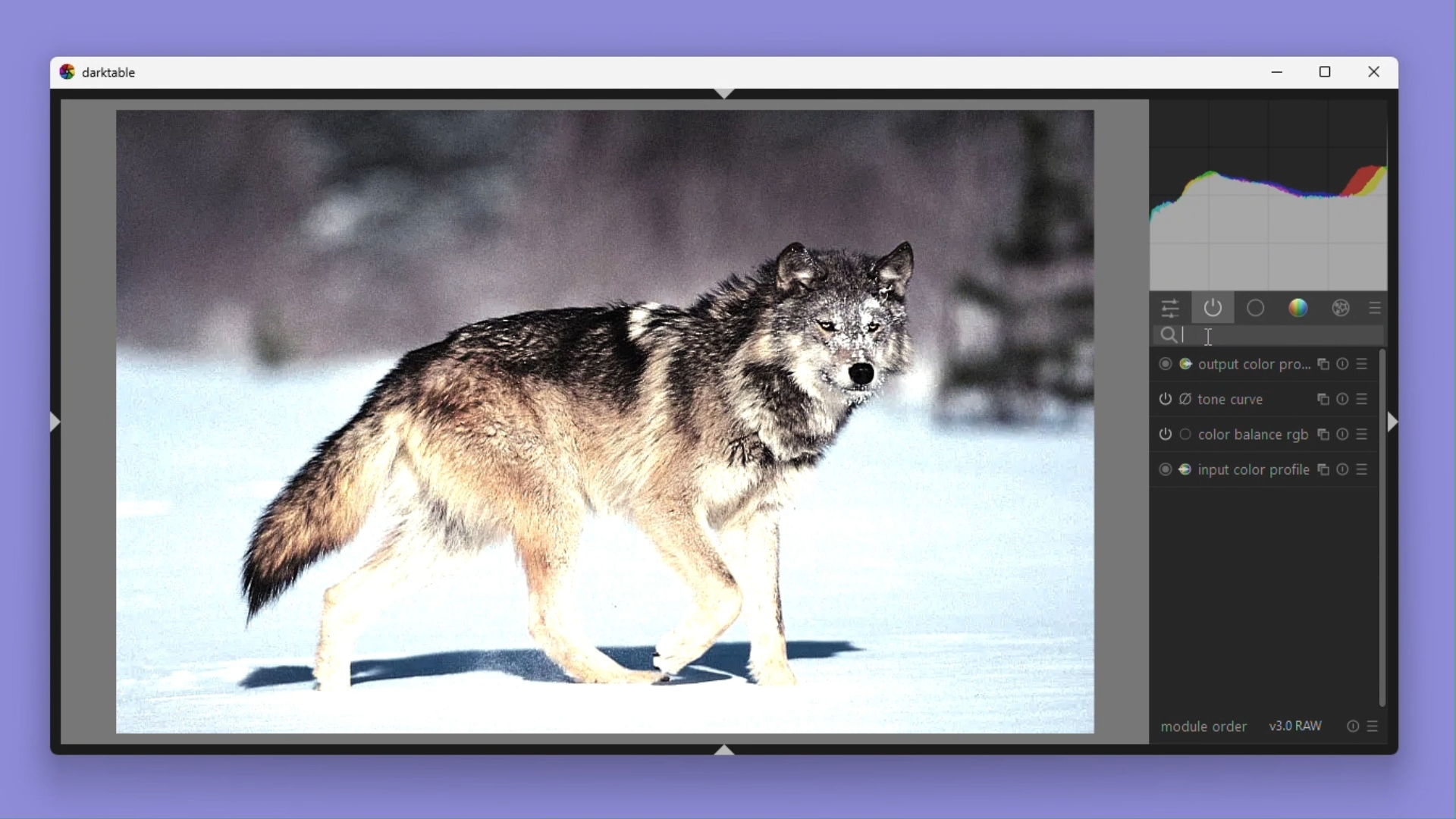 The width and height of the screenshot is (1456, 819). What do you see at coordinates (595, 424) in the screenshot?
I see `Image` at bounding box center [595, 424].